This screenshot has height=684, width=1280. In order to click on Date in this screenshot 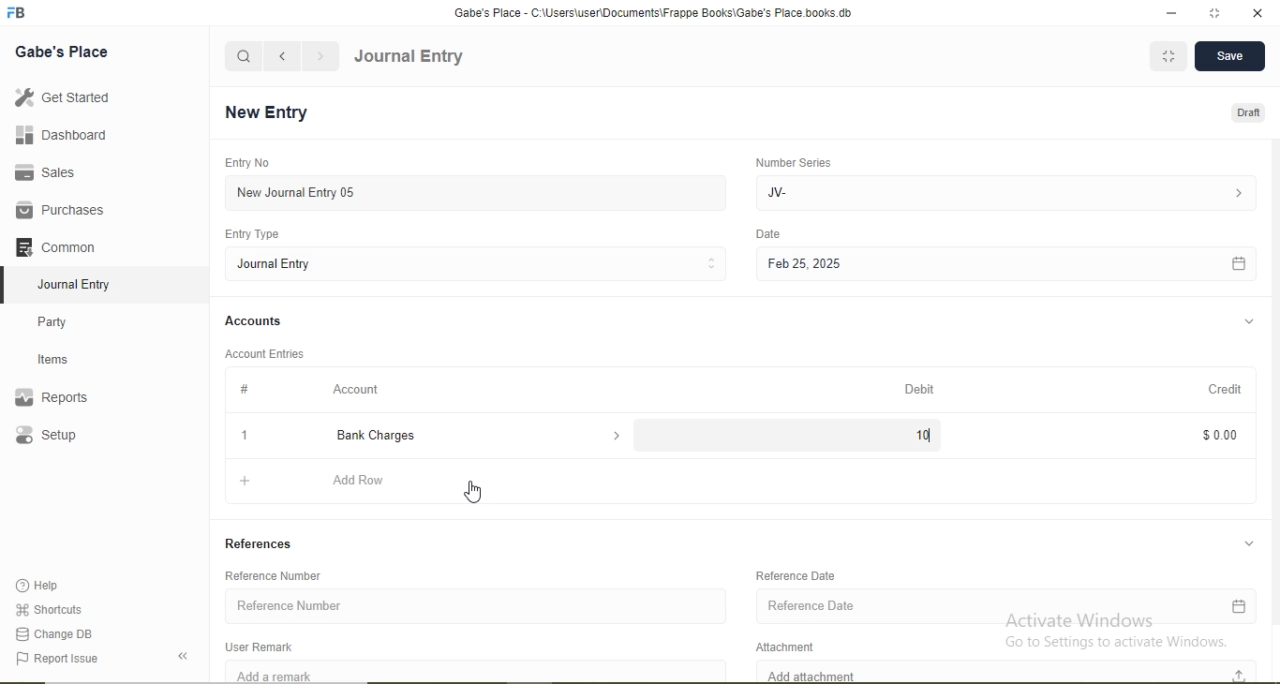, I will do `click(769, 234)`.